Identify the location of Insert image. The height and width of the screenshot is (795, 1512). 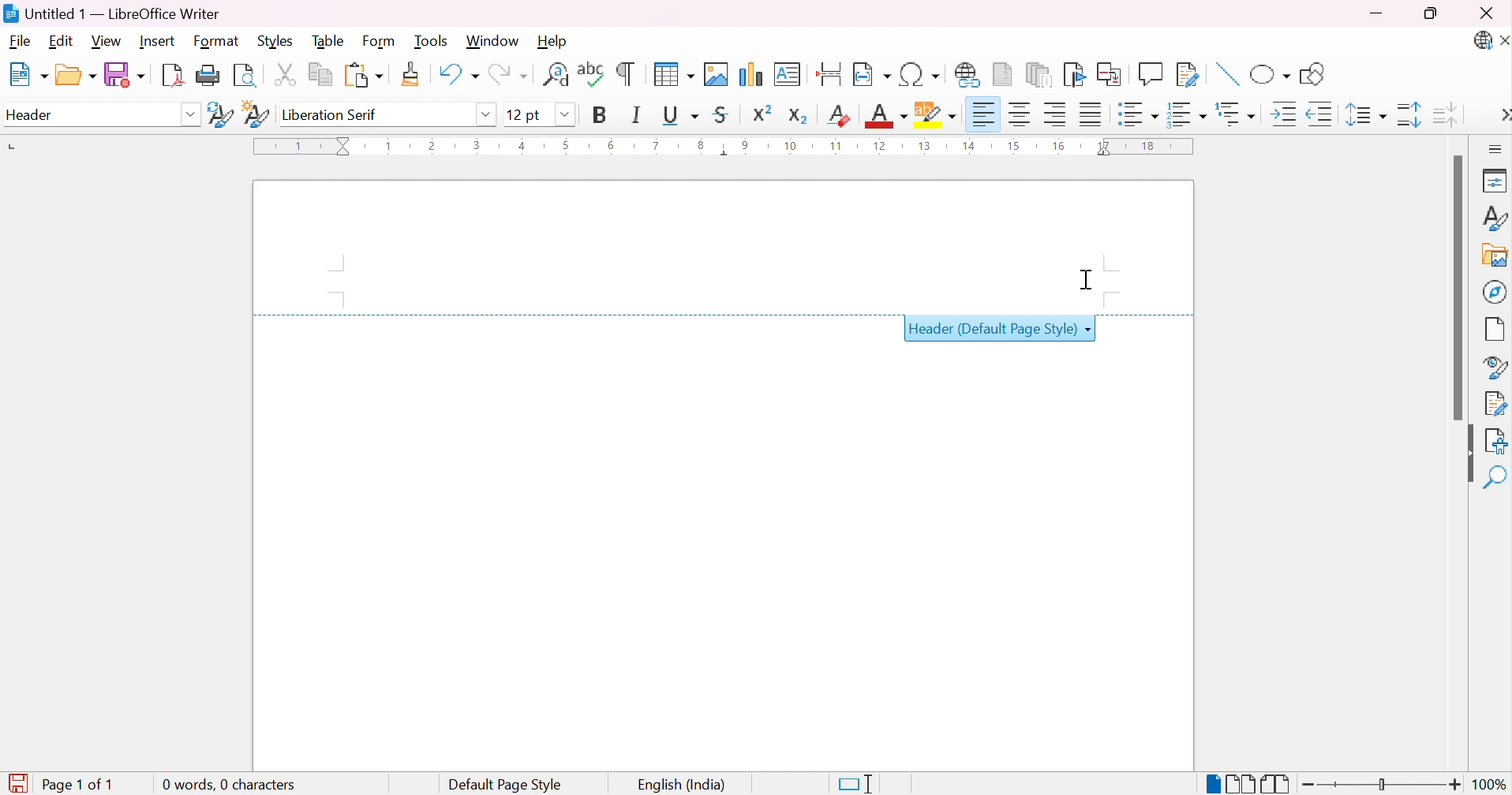
(716, 74).